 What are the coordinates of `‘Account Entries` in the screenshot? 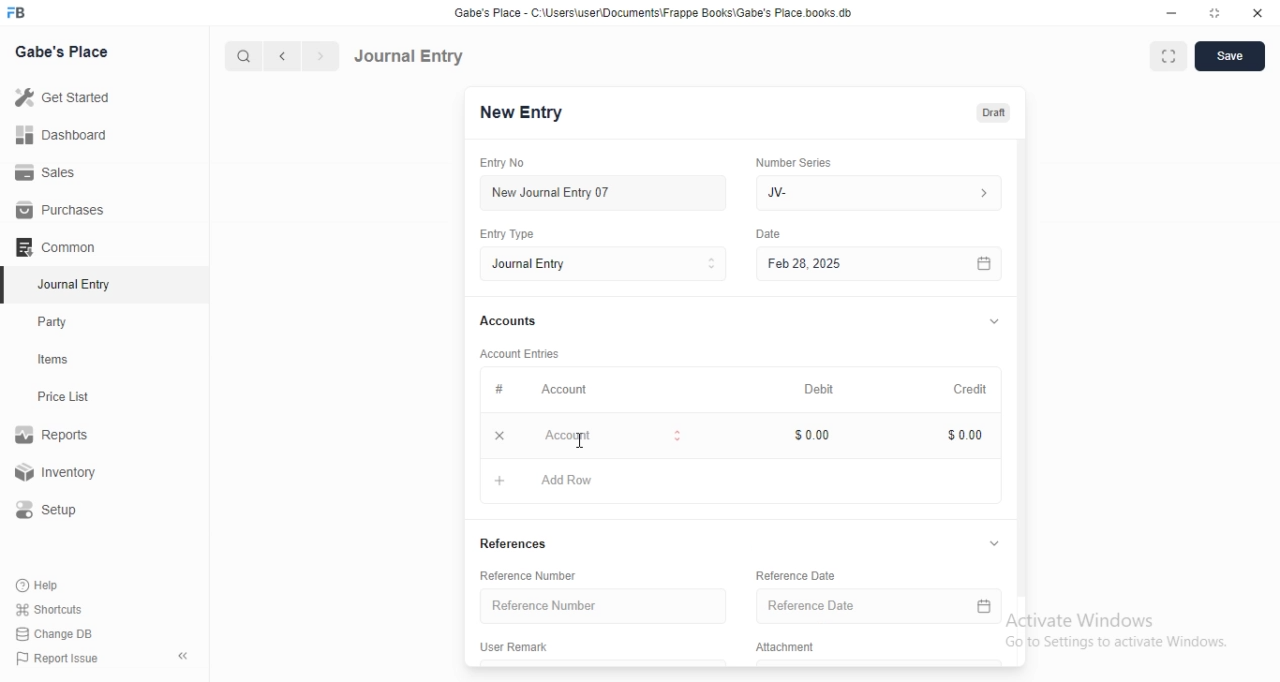 It's located at (521, 353).